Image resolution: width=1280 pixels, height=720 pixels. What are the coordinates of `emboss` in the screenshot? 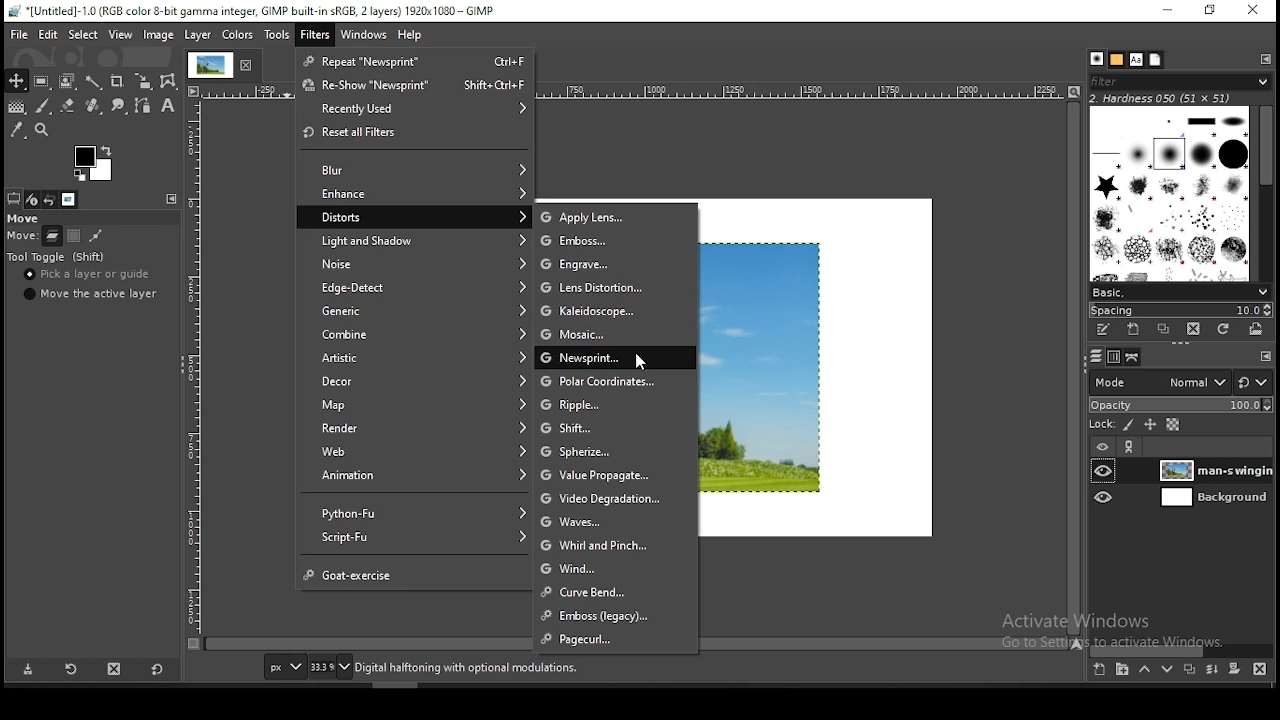 It's located at (616, 615).